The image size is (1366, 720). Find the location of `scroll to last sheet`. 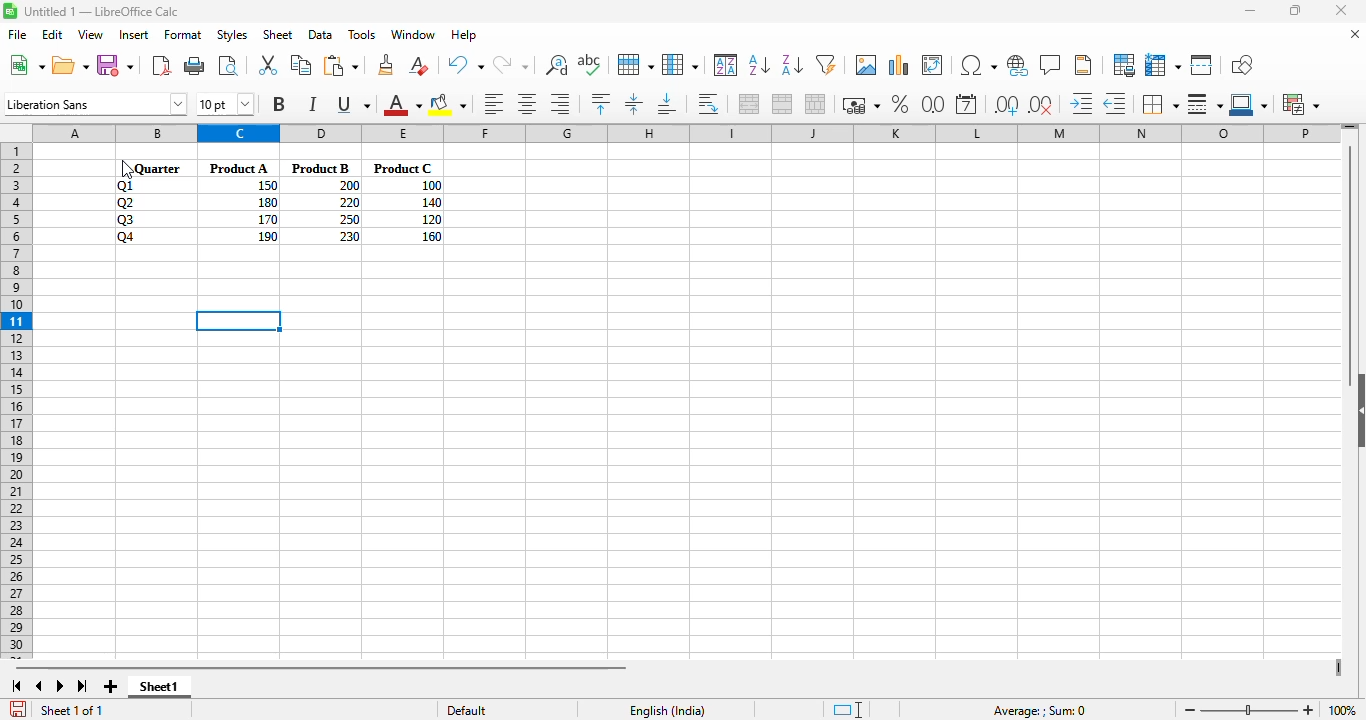

scroll to last sheet is located at coordinates (83, 687).